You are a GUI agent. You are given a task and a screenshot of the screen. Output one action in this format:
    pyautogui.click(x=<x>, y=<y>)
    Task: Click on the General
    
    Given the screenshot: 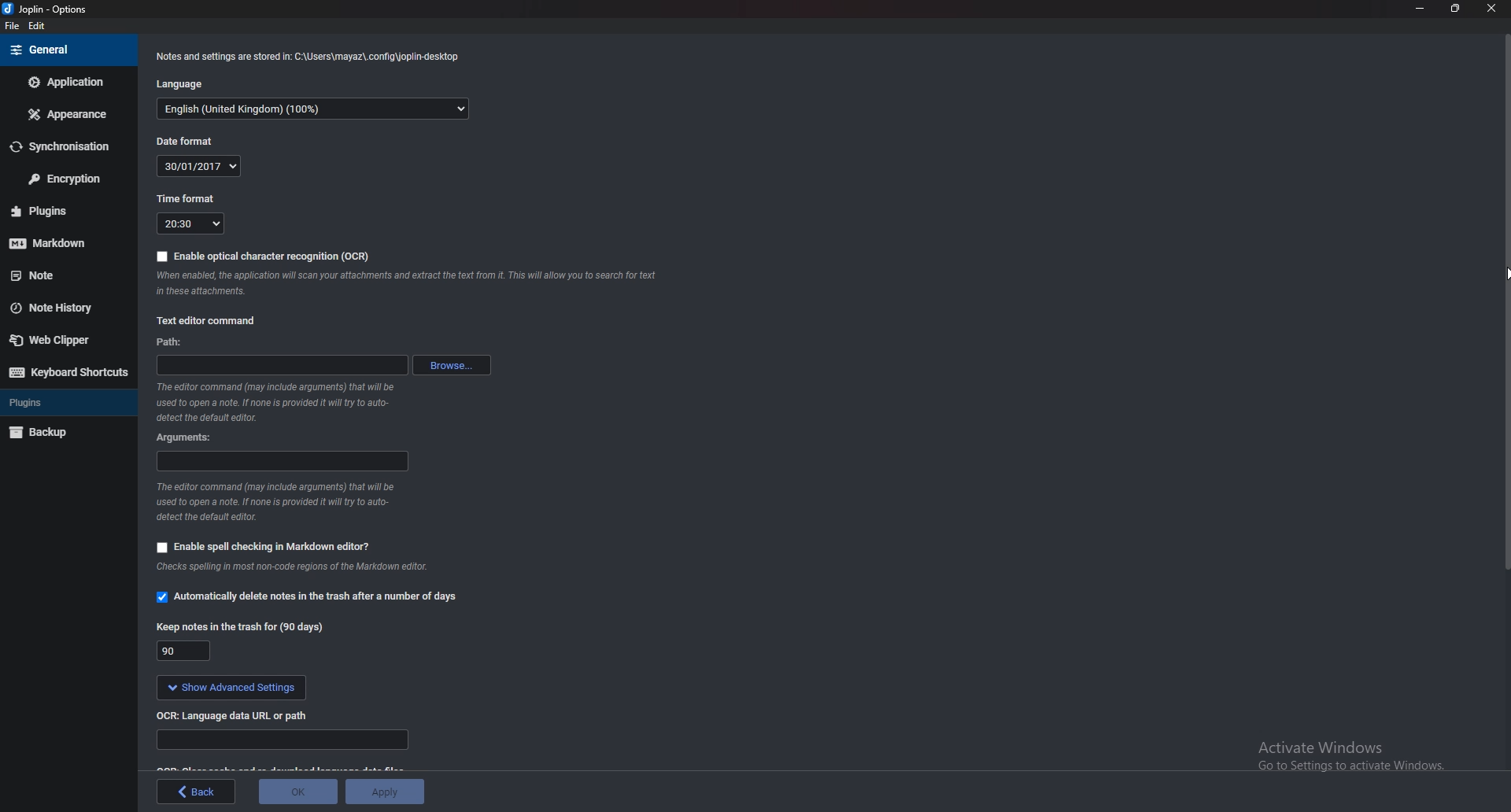 What is the action you would take?
    pyautogui.click(x=66, y=51)
    